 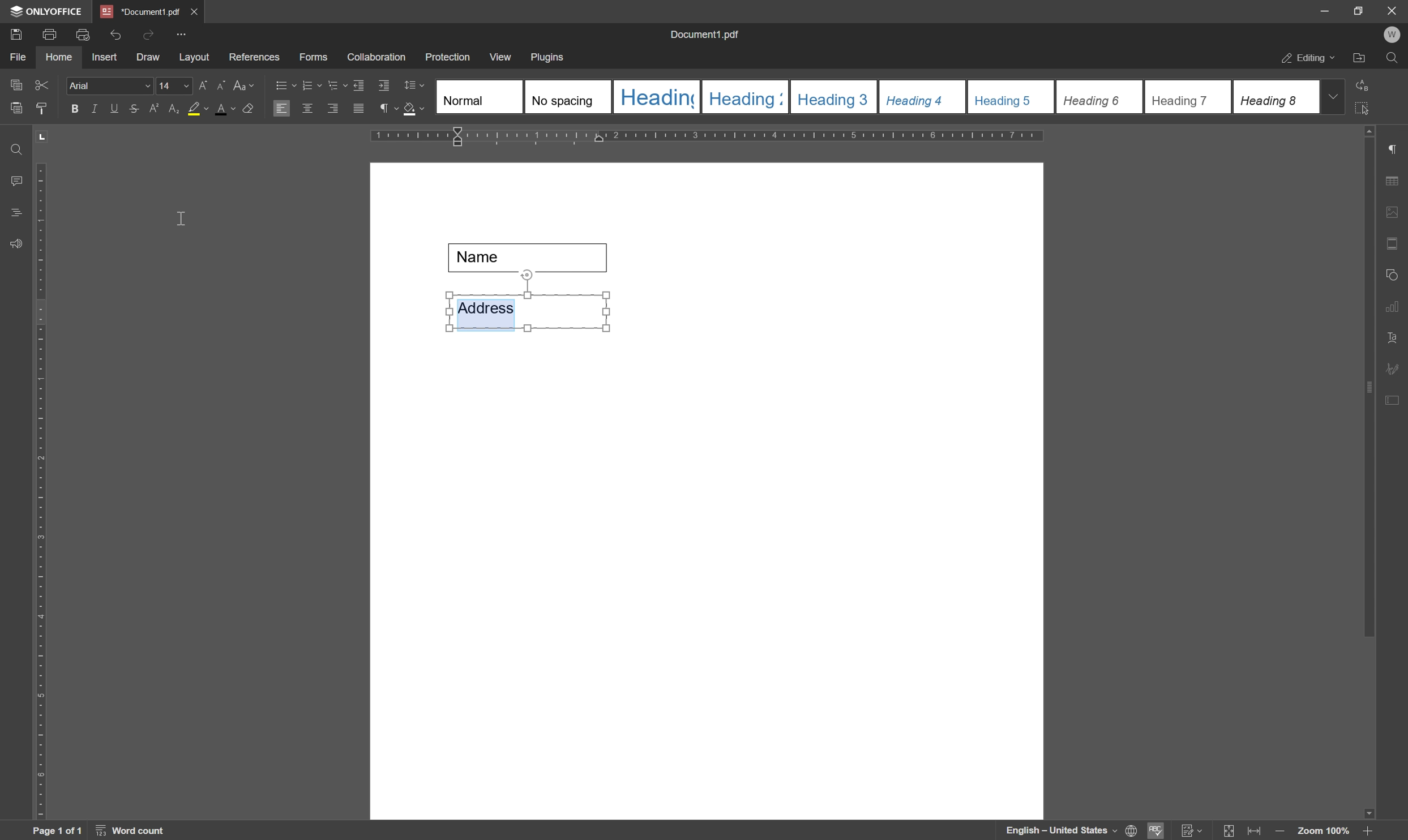 What do you see at coordinates (284, 84) in the screenshot?
I see `bullets` at bounding box center [284, 84].